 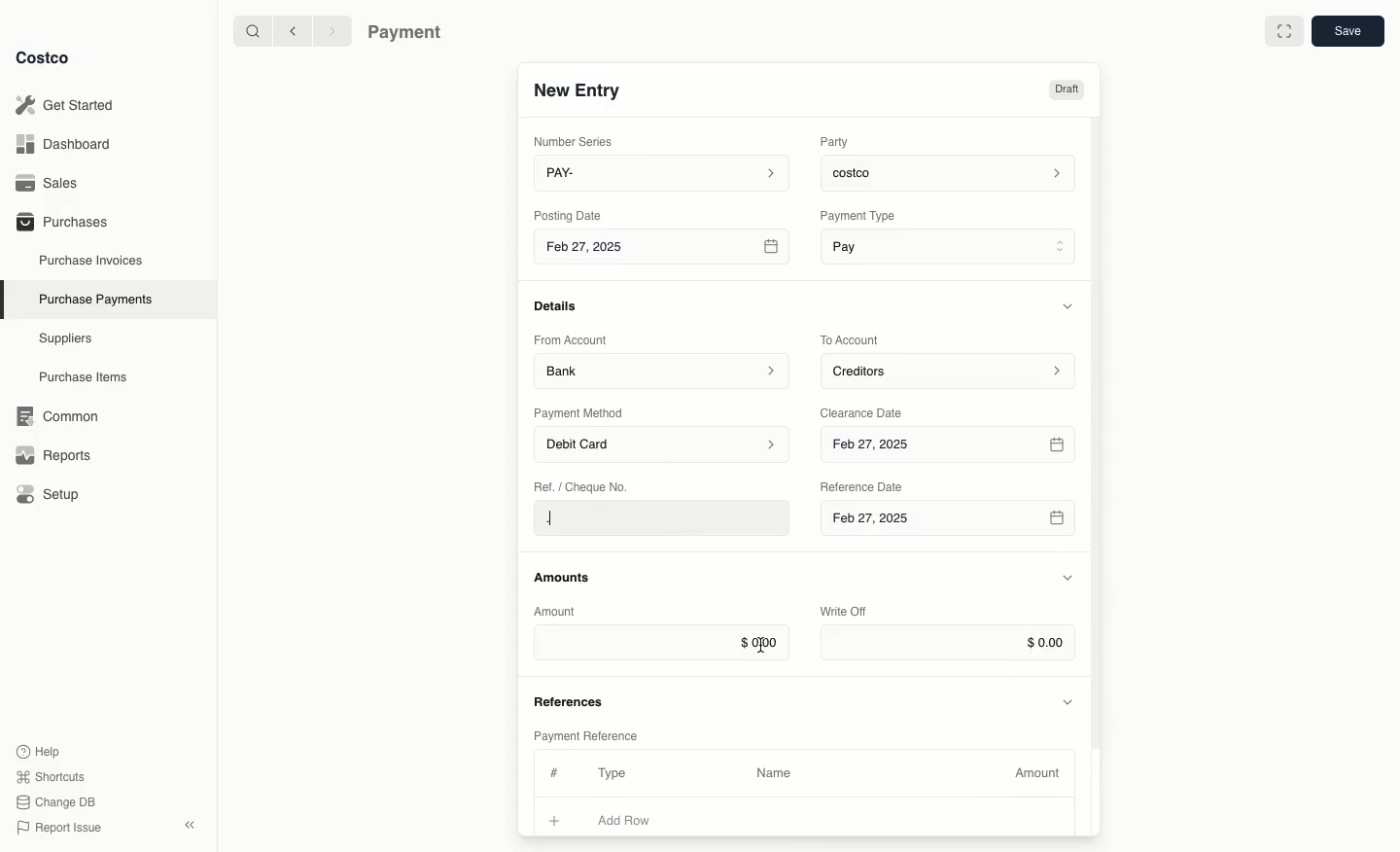 I want to click on Add Row, so click(x=637, y=820).